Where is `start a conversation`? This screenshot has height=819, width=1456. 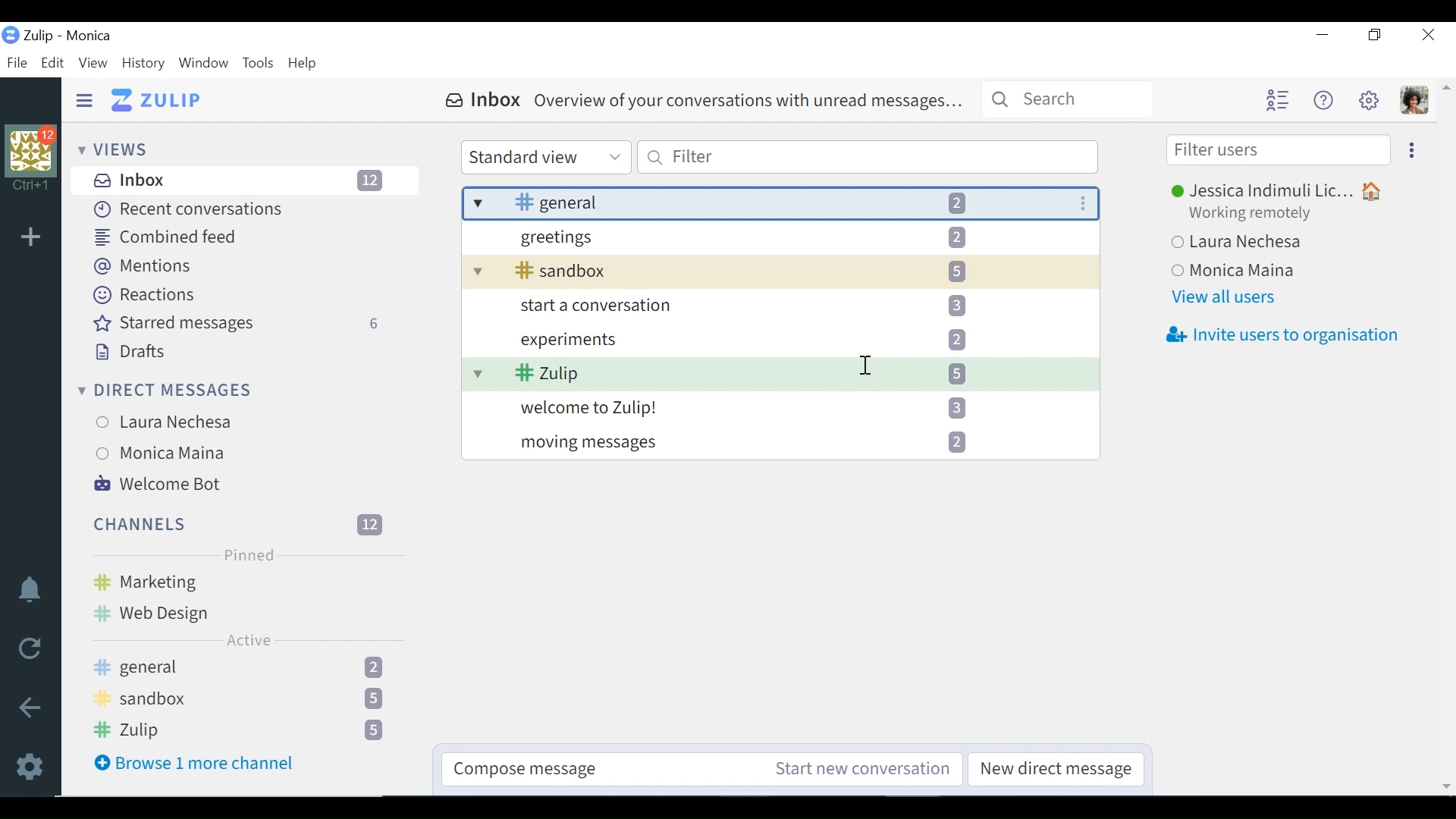
start a conversation is located at coordinates (761, 303).